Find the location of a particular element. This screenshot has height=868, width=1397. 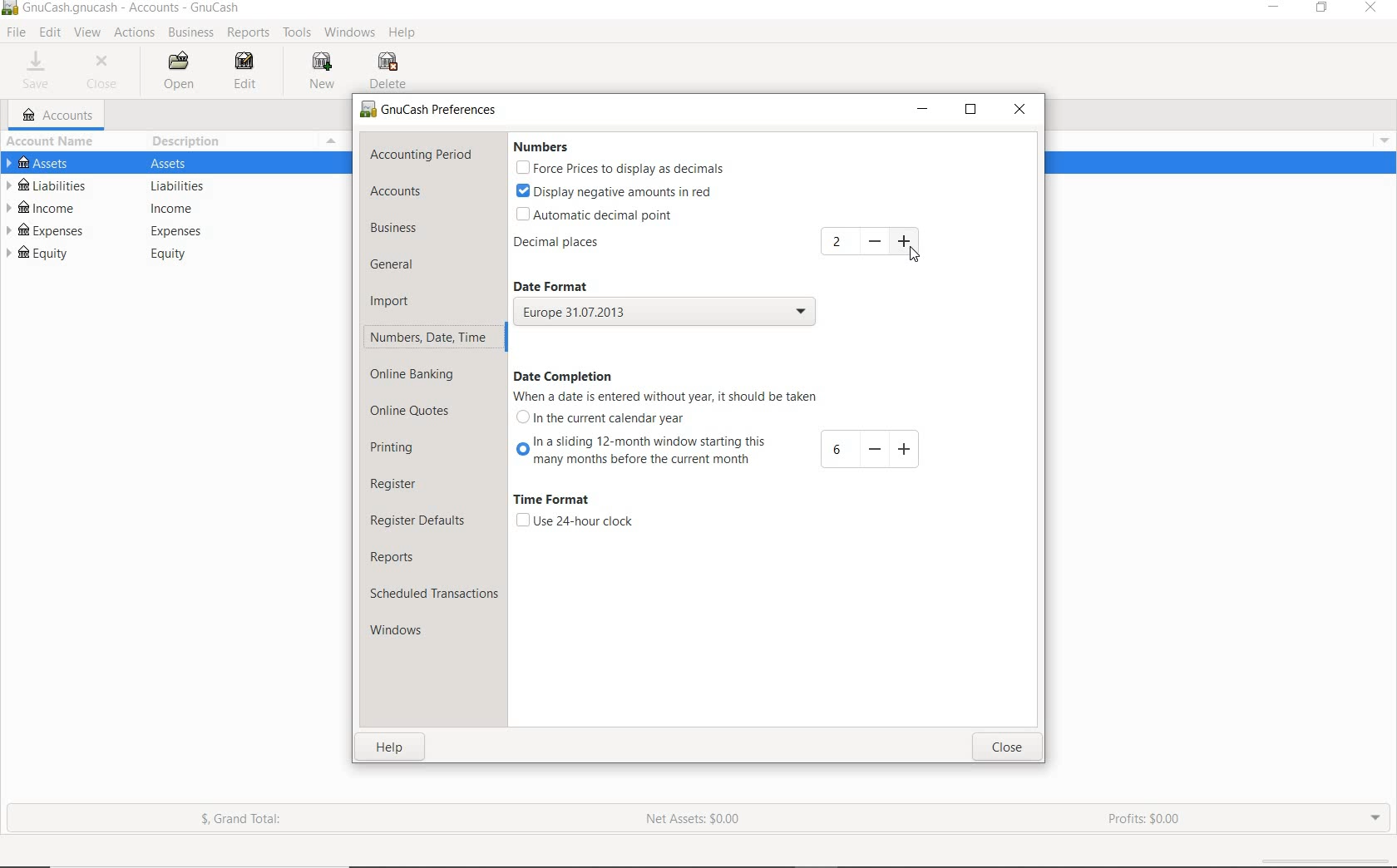

online banking is located at coordinates (422, 377).